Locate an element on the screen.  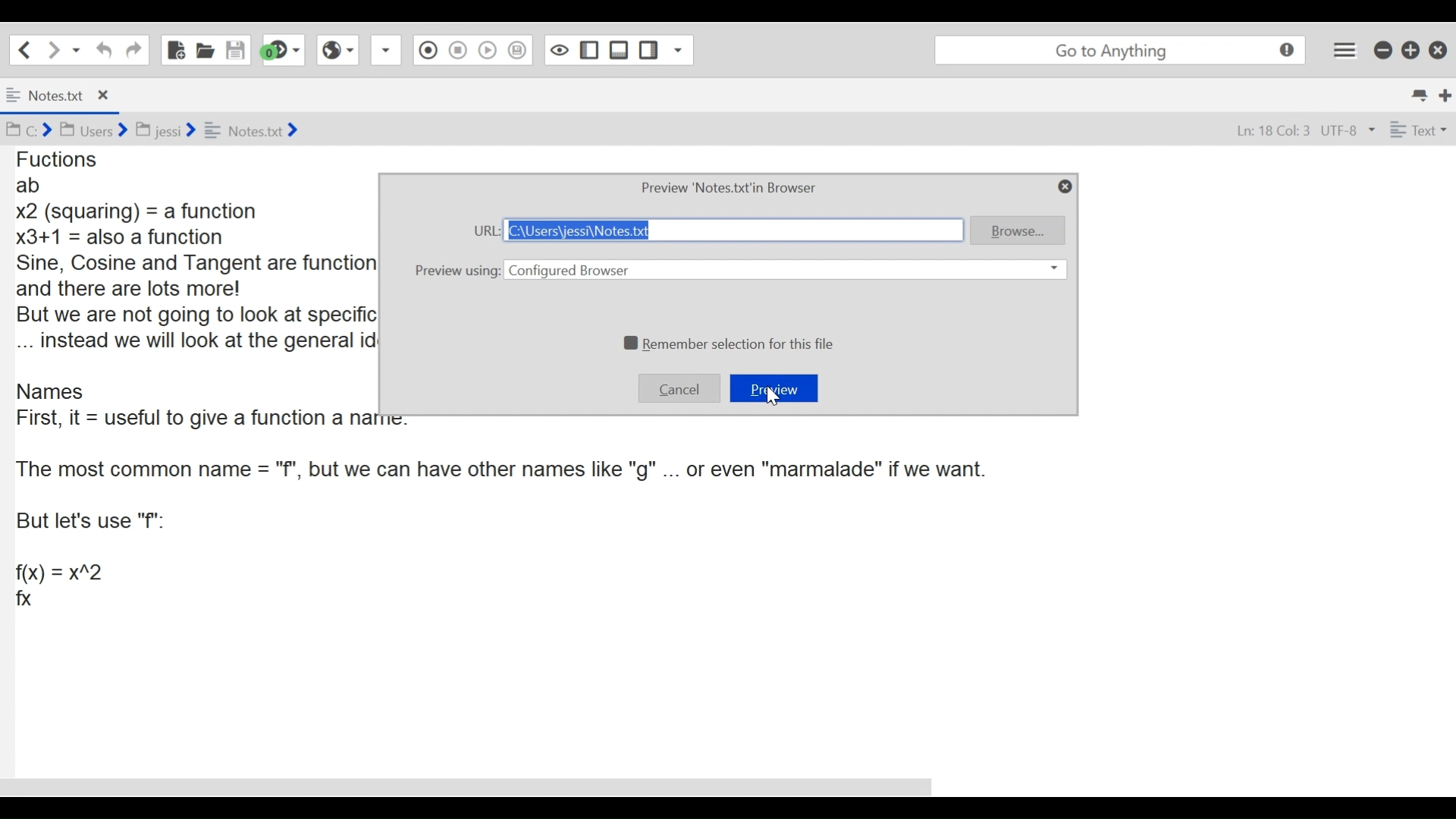
c: is located at coordinates (32, 130).